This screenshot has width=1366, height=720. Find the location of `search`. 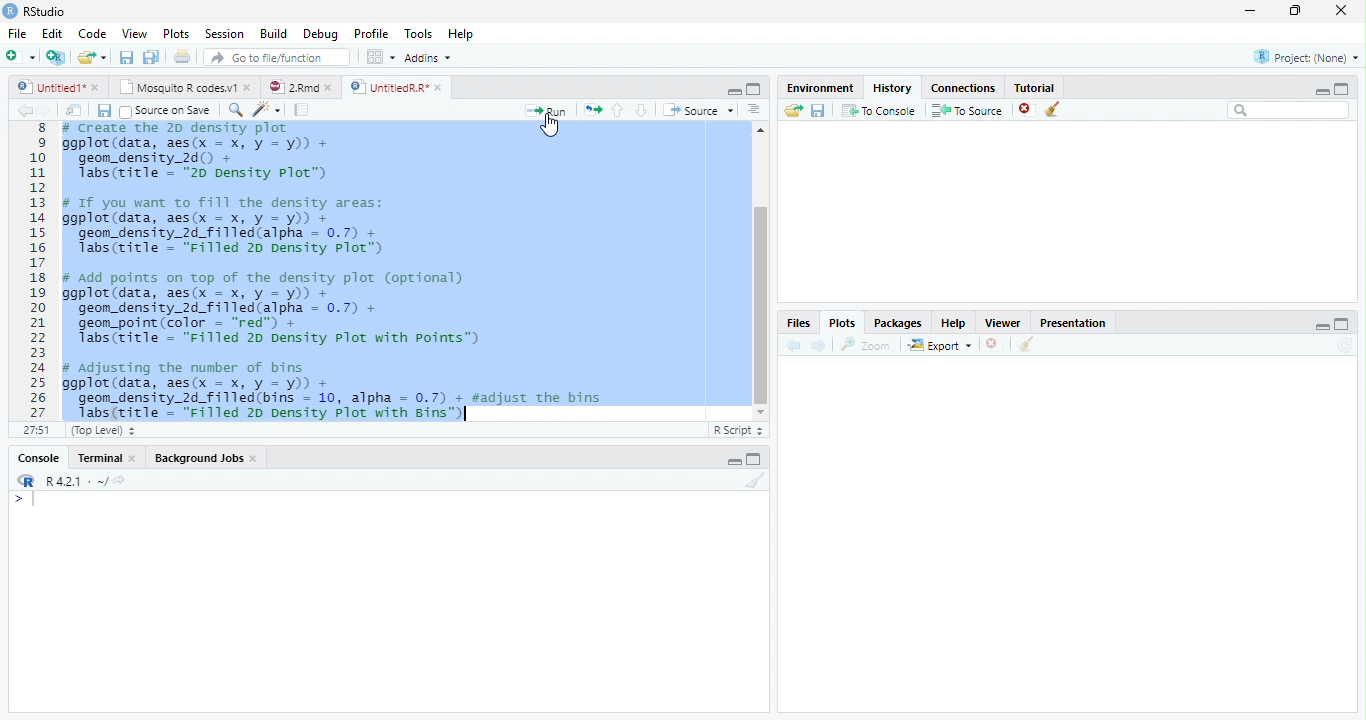

search is located at coordinates (232, 109).